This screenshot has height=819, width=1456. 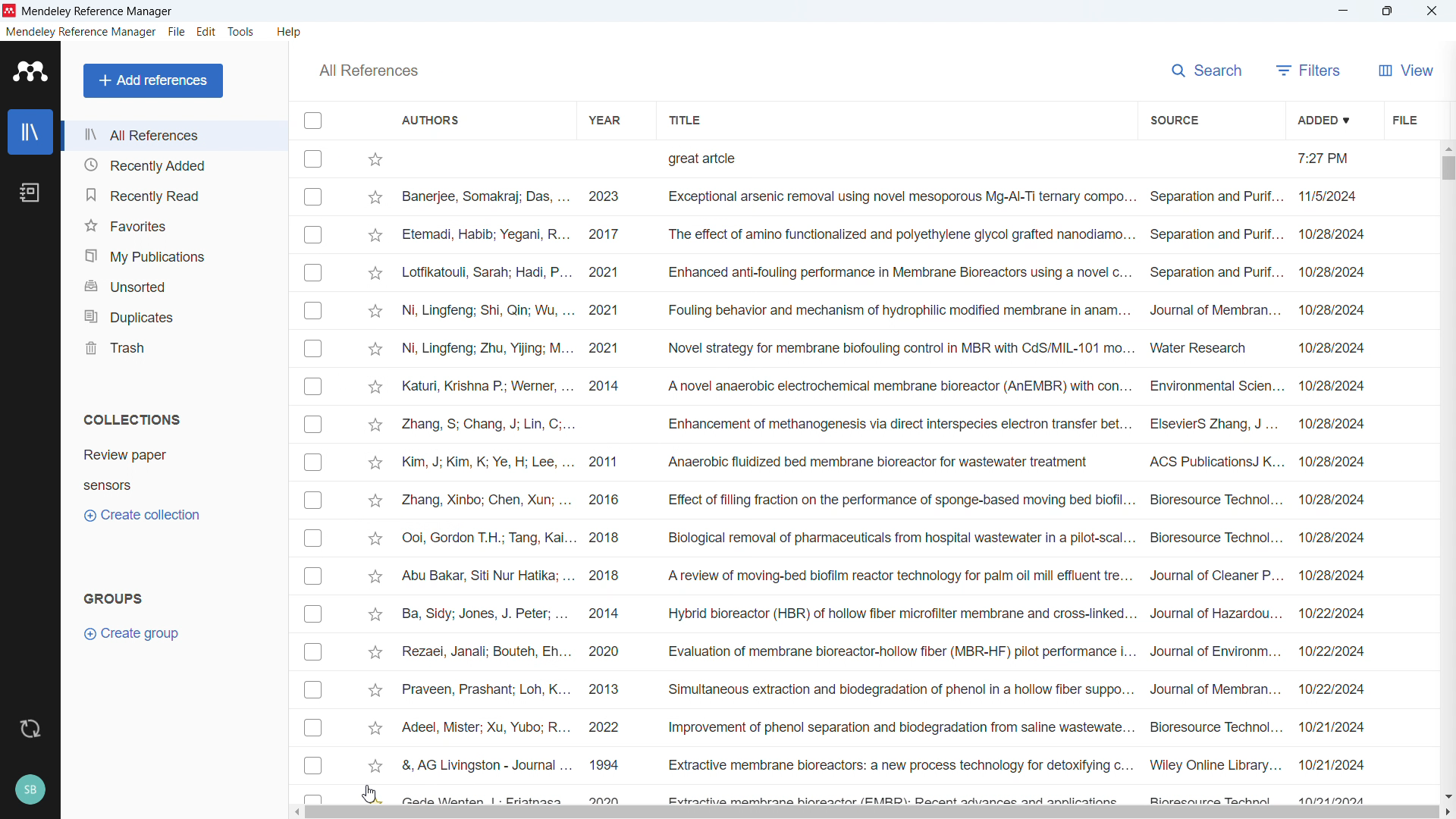 What do you see at coordinates (1432, 11) in the screenshot?
I see `Close` at bounding box center [1432, 11].